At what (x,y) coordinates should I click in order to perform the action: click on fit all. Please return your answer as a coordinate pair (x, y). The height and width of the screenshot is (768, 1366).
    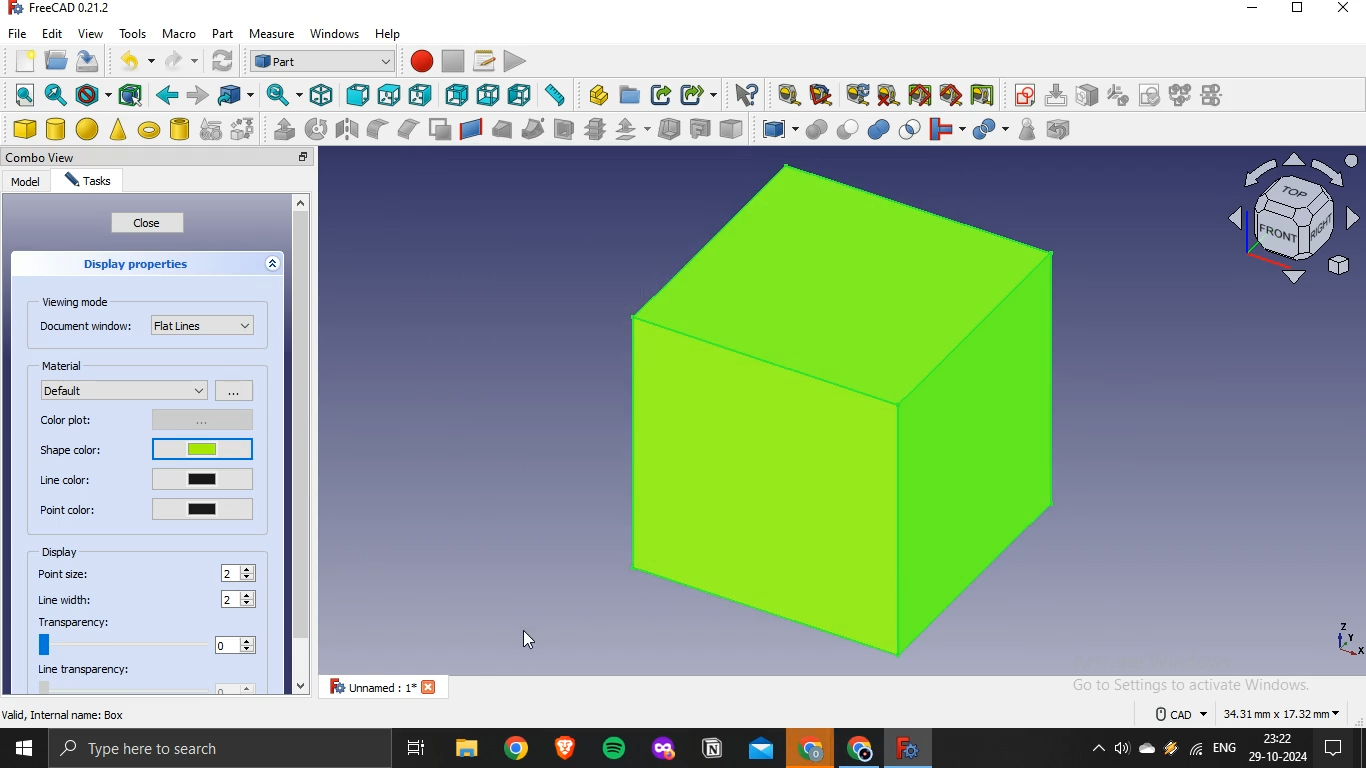
    Looking at the image, I should click on (24, 95).